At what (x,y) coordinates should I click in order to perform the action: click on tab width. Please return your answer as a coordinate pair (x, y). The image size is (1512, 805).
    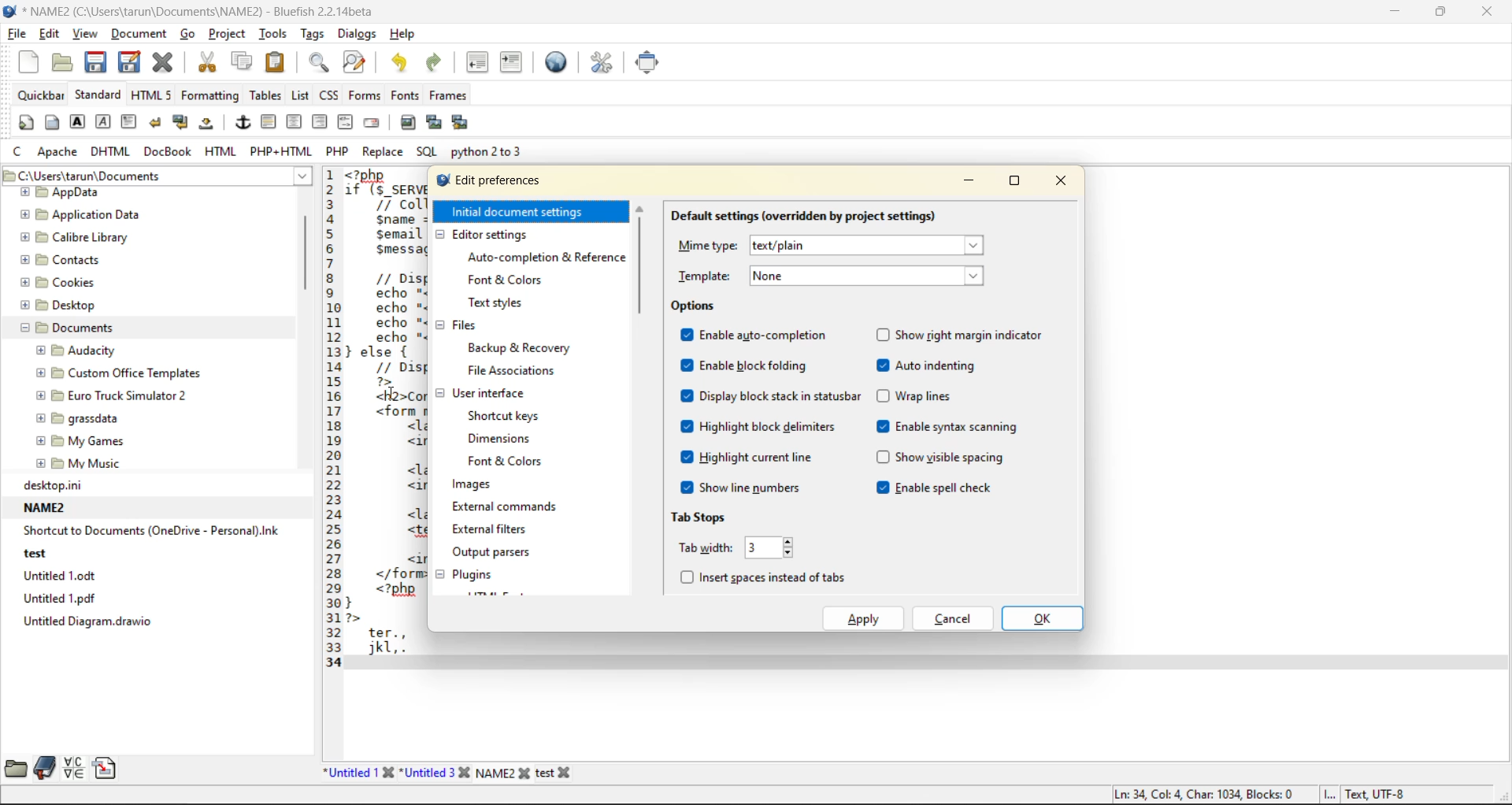
    Looking at the image, I should click on (732, 546).